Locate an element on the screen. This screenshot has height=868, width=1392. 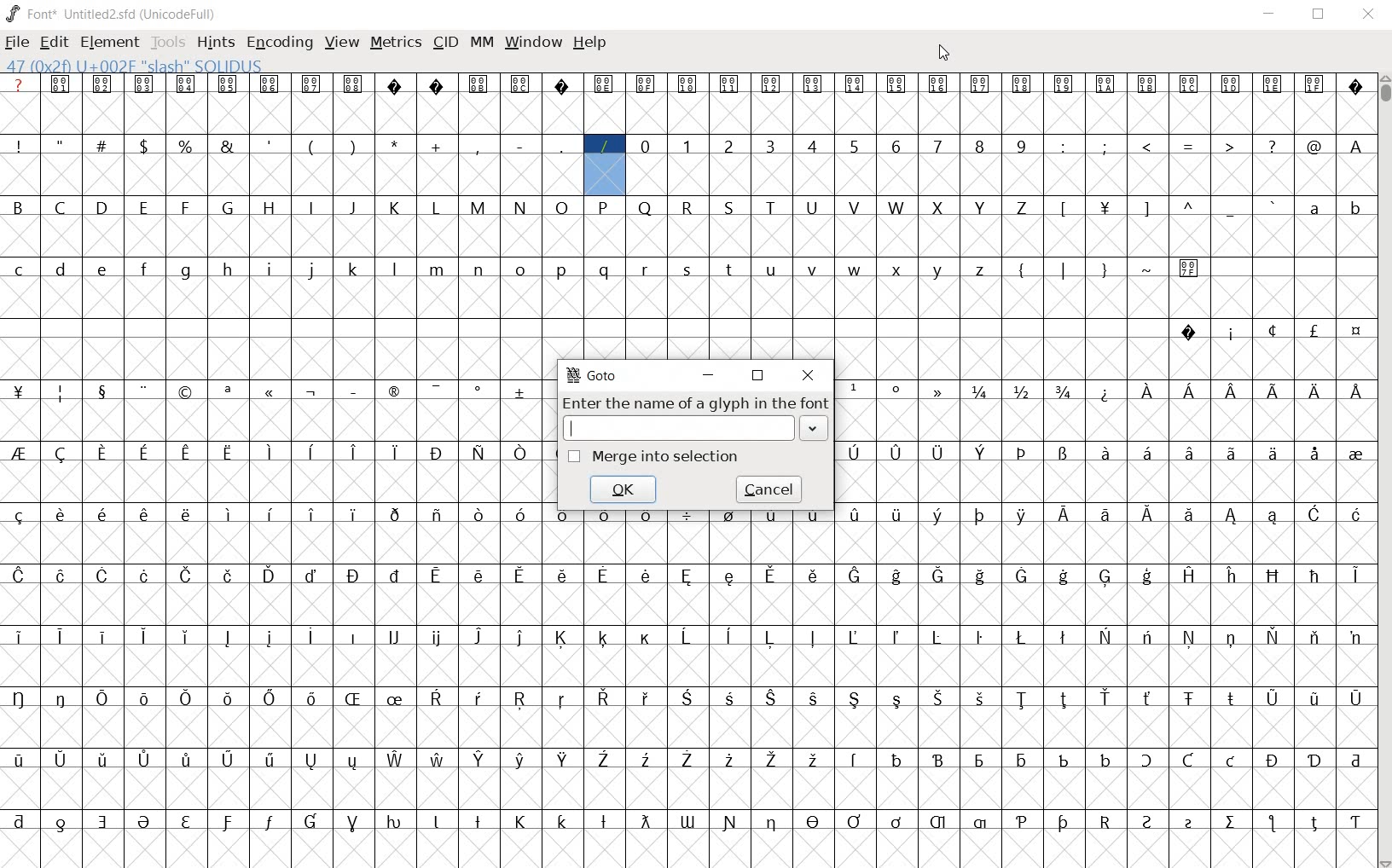
glyph is located at coordinates (815, 699).